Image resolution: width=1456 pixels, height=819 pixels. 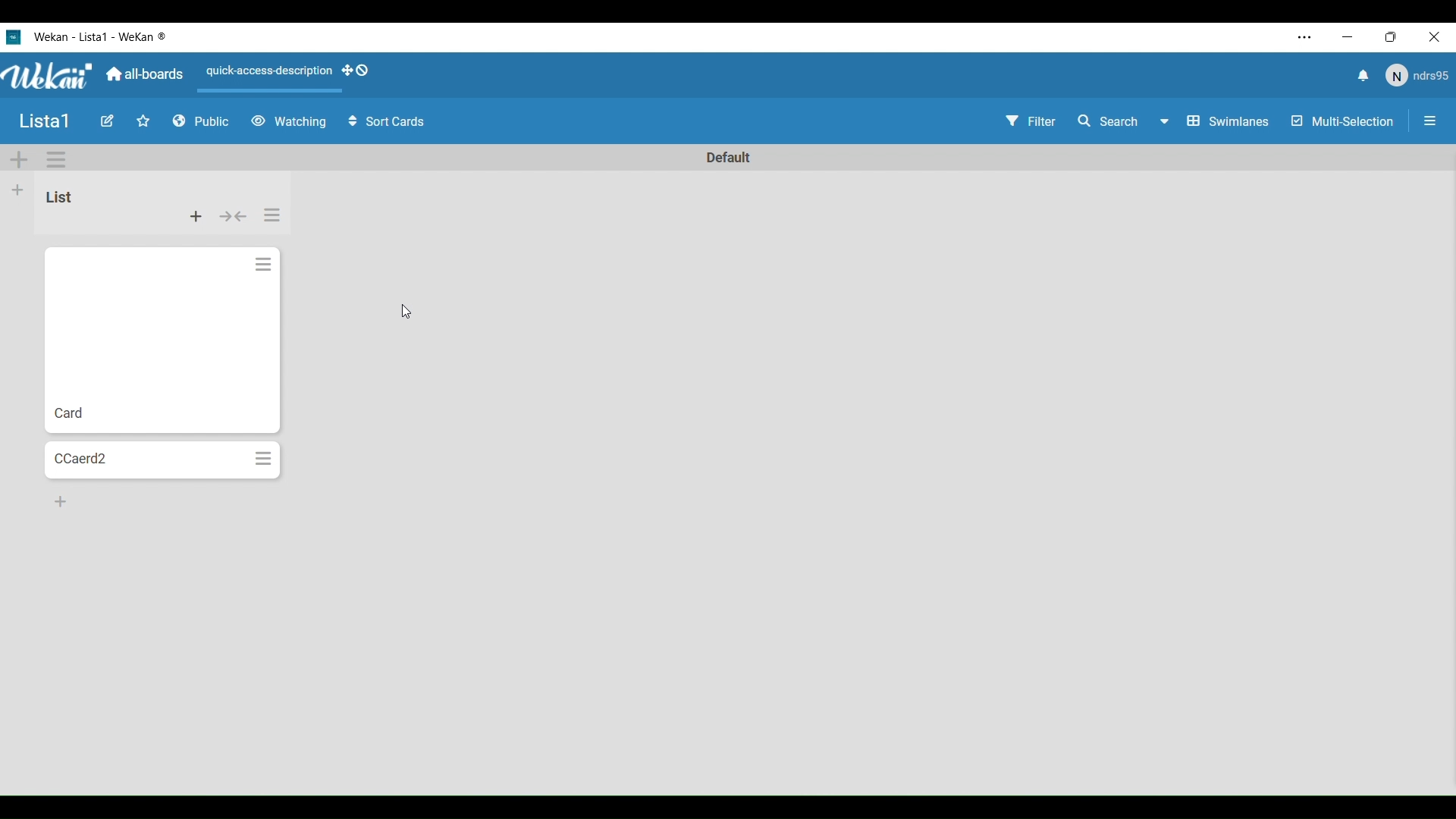 I want to click on Multi Selection, so click(x=1341, y=122).